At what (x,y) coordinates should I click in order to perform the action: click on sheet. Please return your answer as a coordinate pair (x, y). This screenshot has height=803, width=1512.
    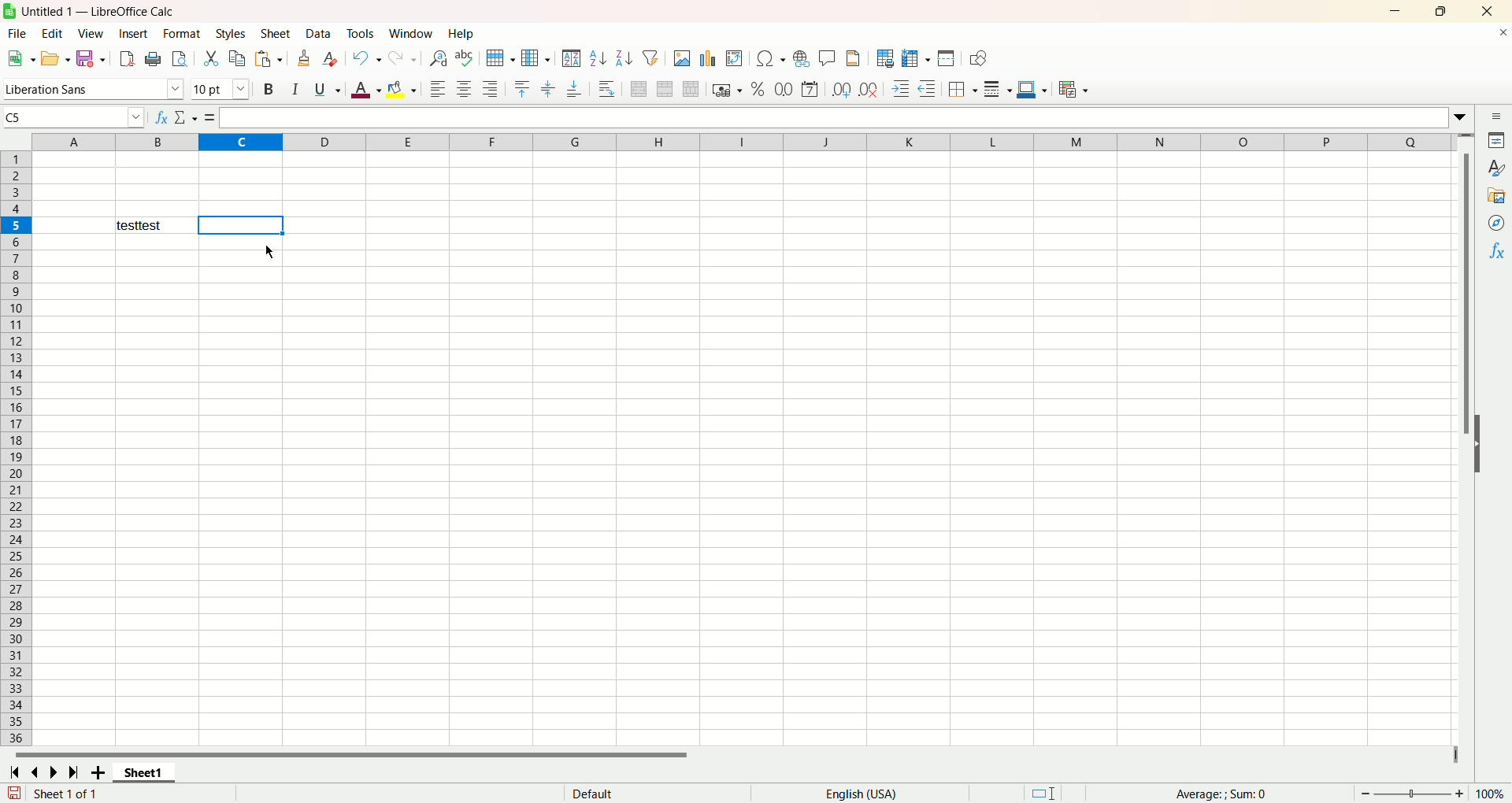
    Looking at the image, I should click on (279, 33).